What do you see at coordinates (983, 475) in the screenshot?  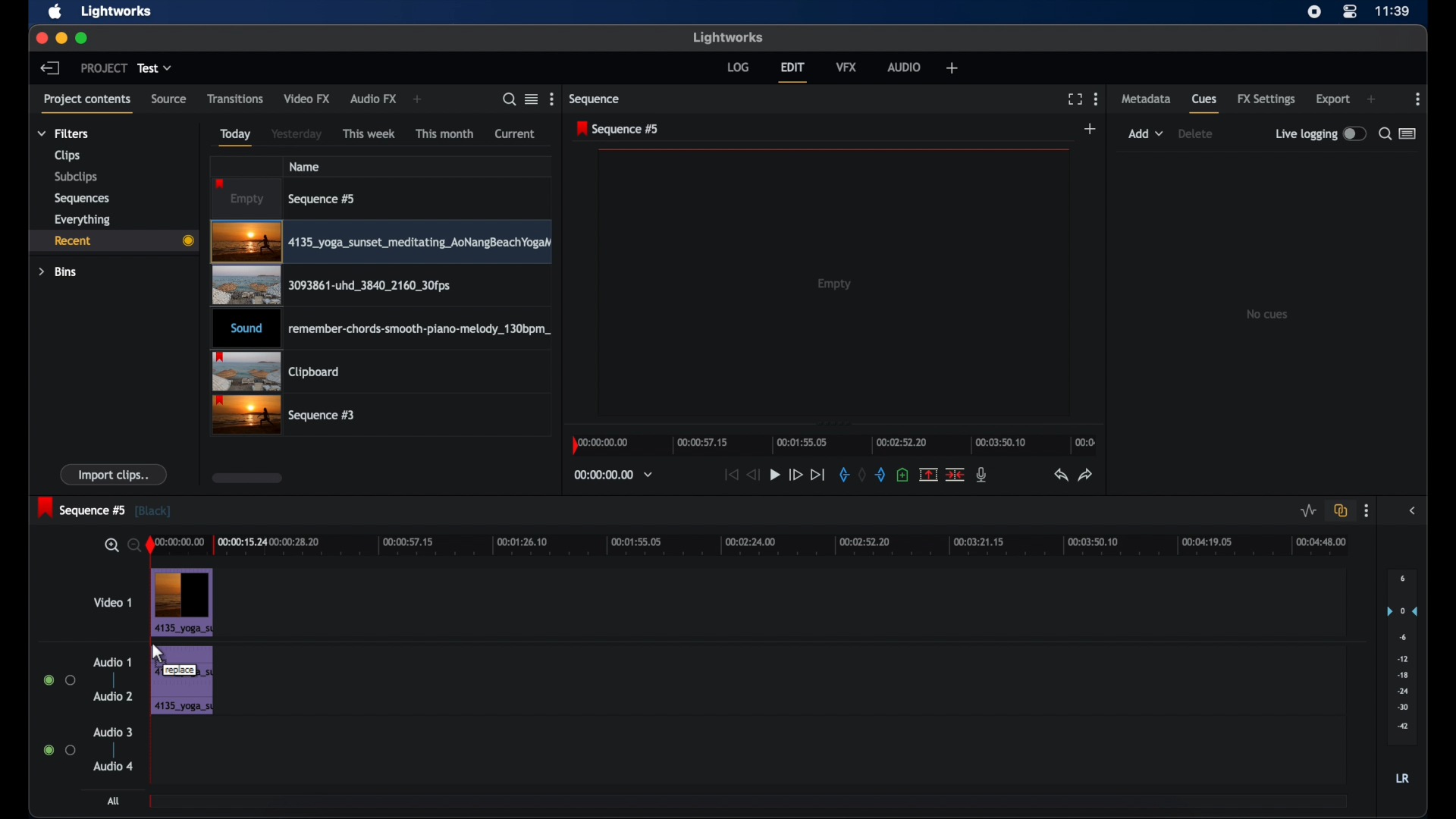 I see `mic` at bounding box center [983, 475].